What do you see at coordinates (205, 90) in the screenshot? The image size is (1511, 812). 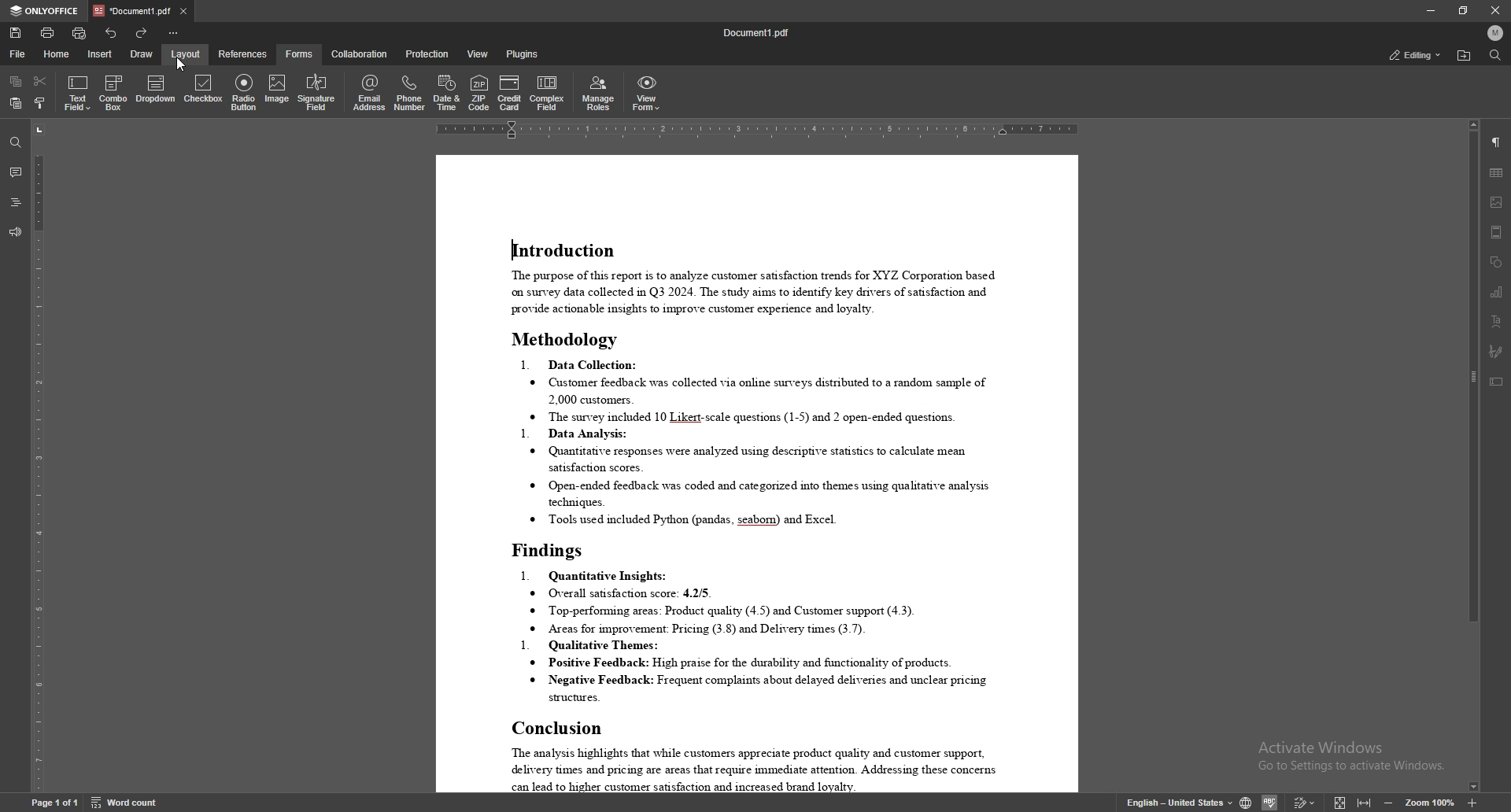 I see `checkbox` at bounding box center [205, 90].